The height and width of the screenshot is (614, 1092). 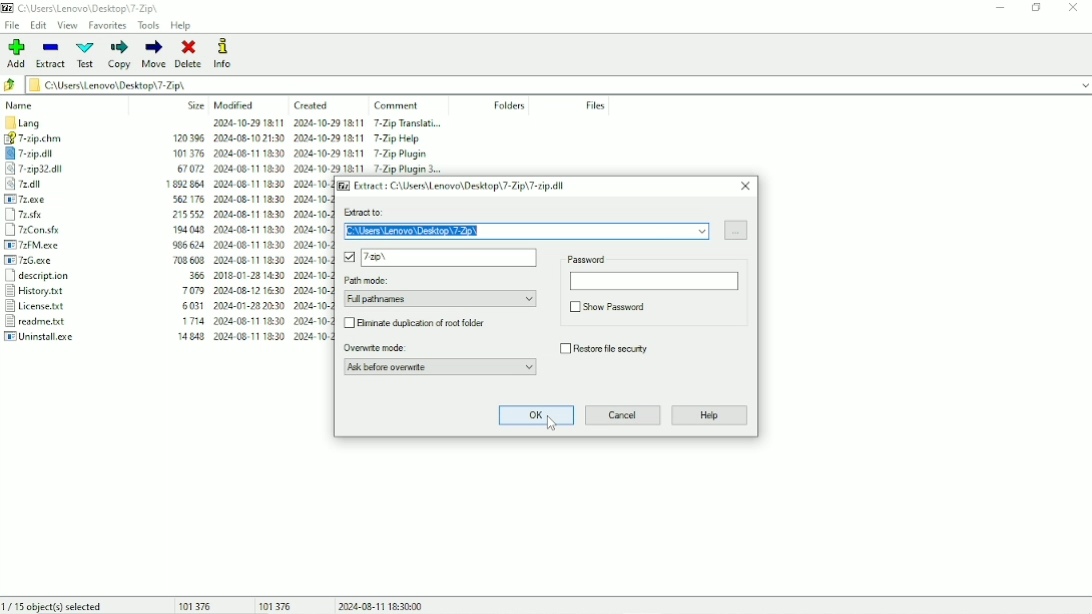 What do you see at coordinates (189, 54) in the screenshot?
I see `Delete` at bounding box center [189, 54].